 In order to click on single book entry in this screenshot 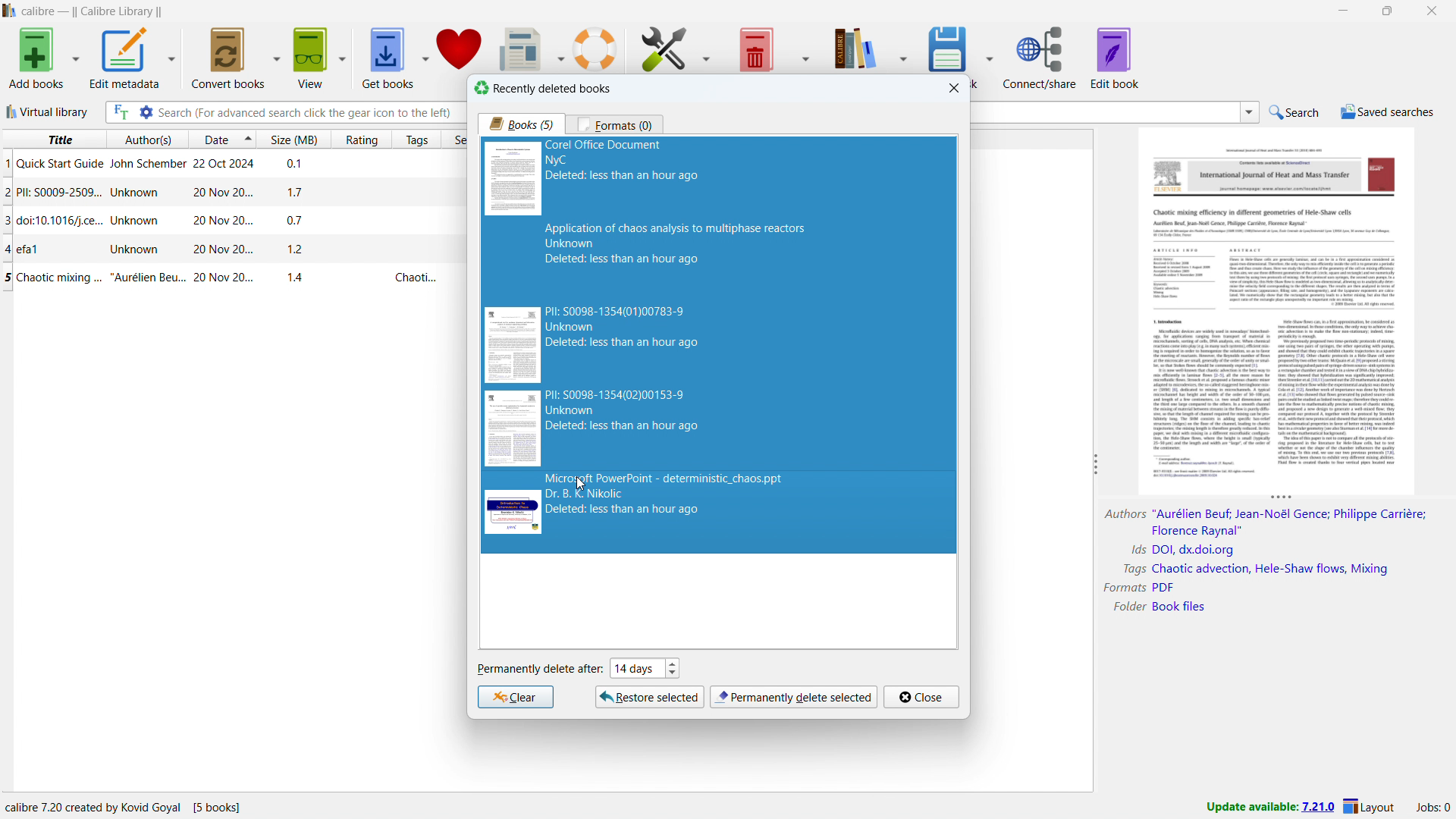, I will do `click(227, 221)`.